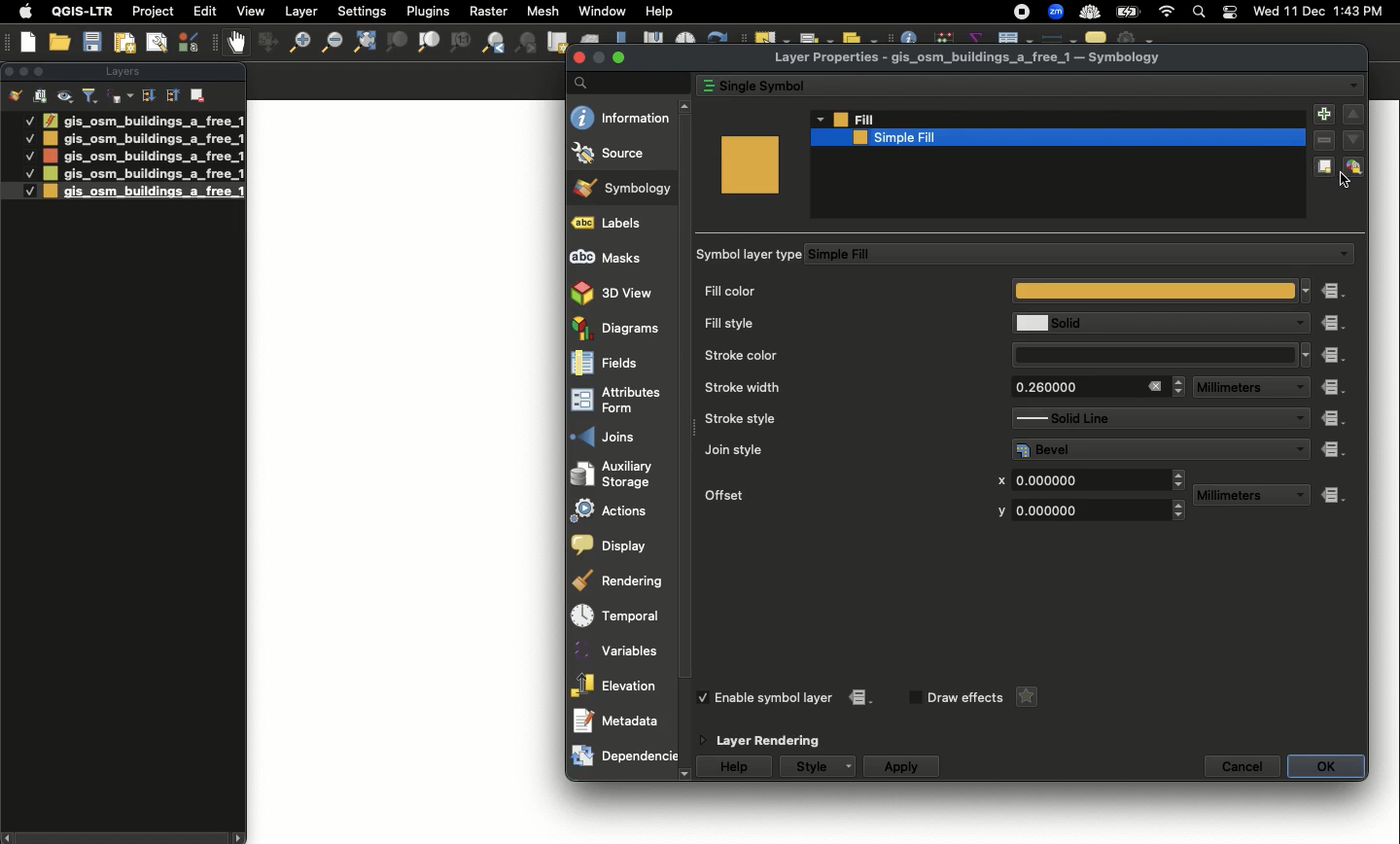 The image size is (1400, 844). What do you see at coordinates (620, 402) in the screenshot?
I see `Attributes form` at bounding box center [620, 402].